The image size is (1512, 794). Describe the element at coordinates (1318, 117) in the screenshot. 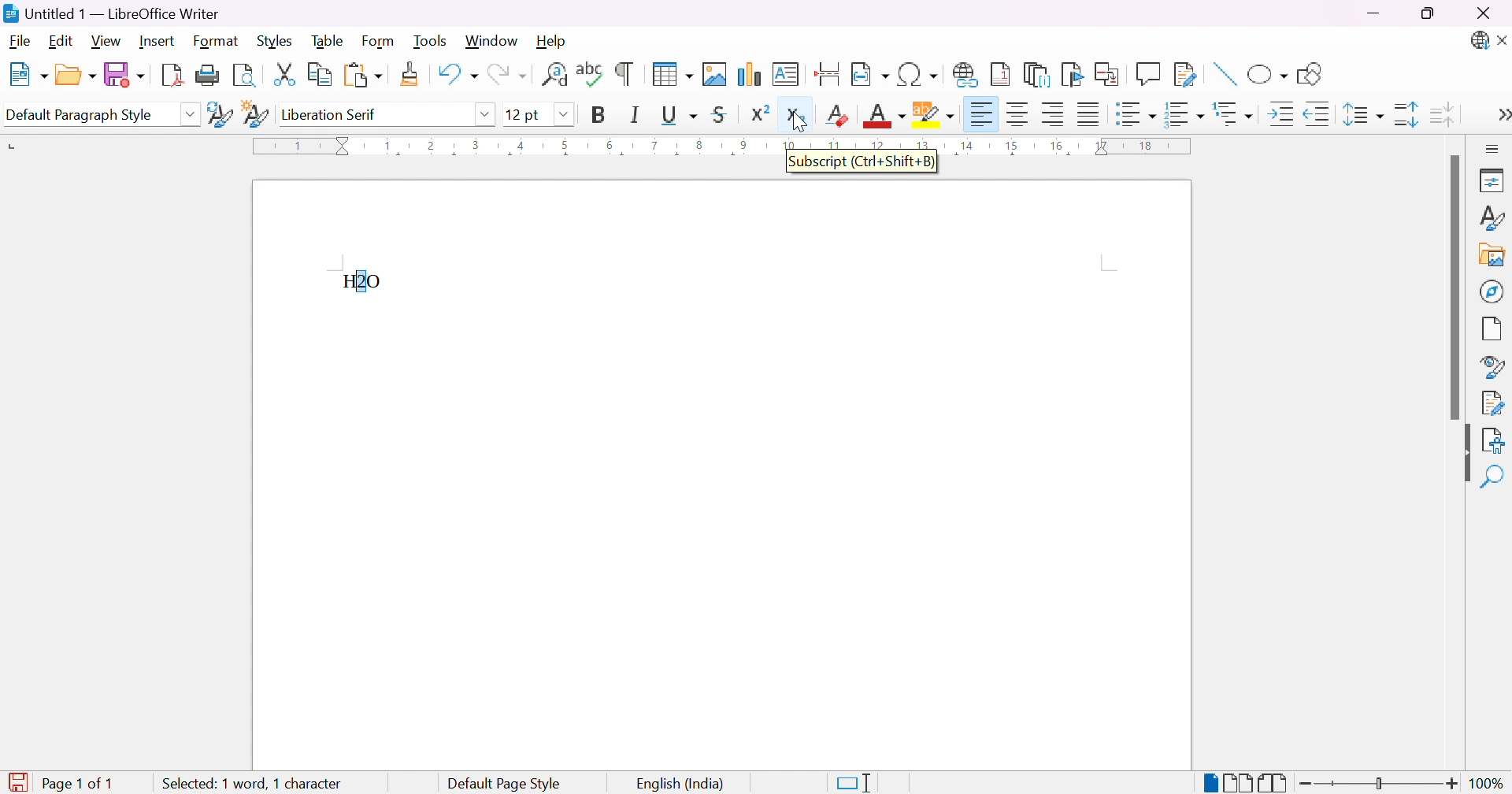

I see `Decrease indent` at that location.